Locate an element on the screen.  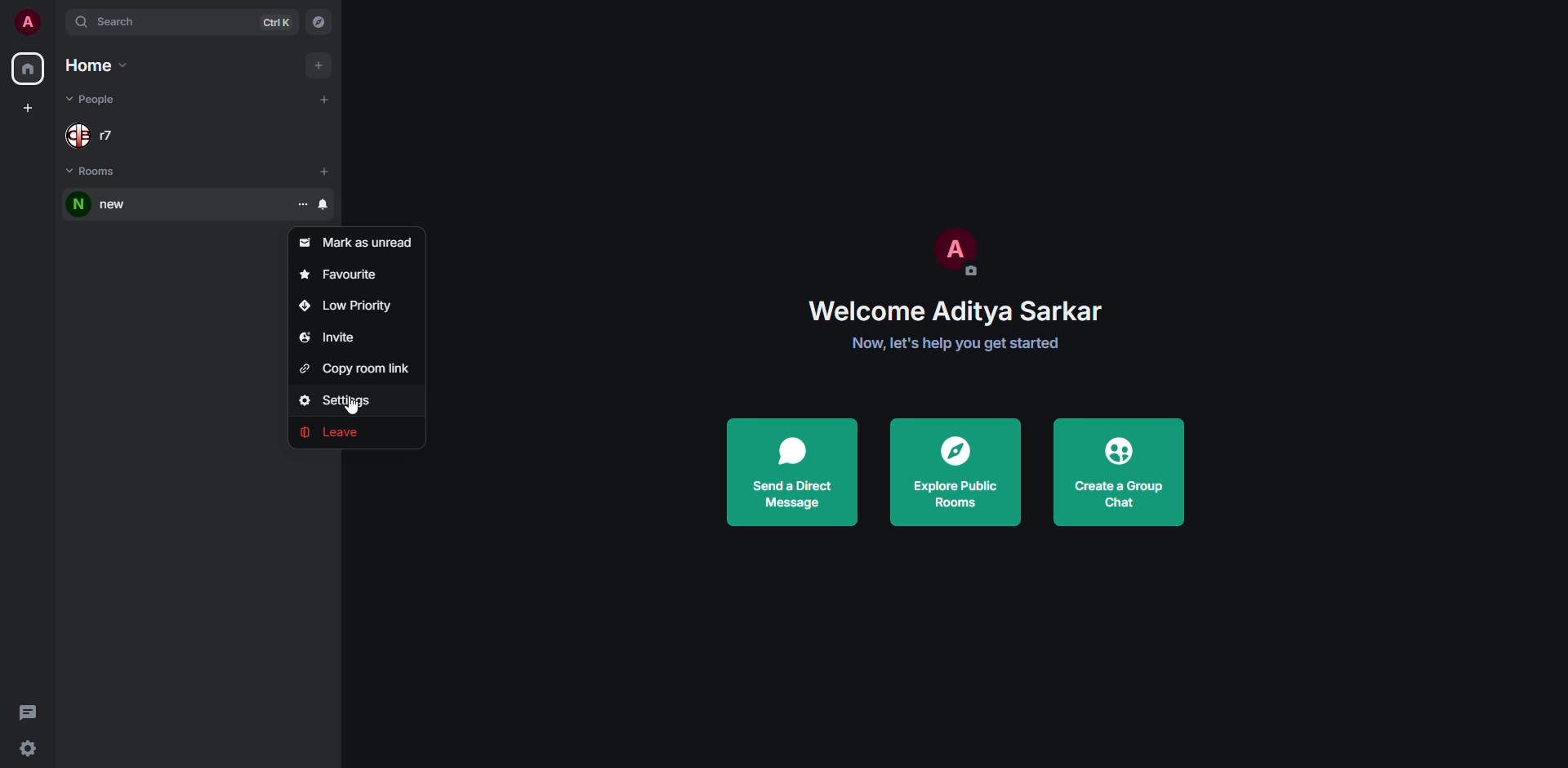
home is located at coordinates (99, 66).